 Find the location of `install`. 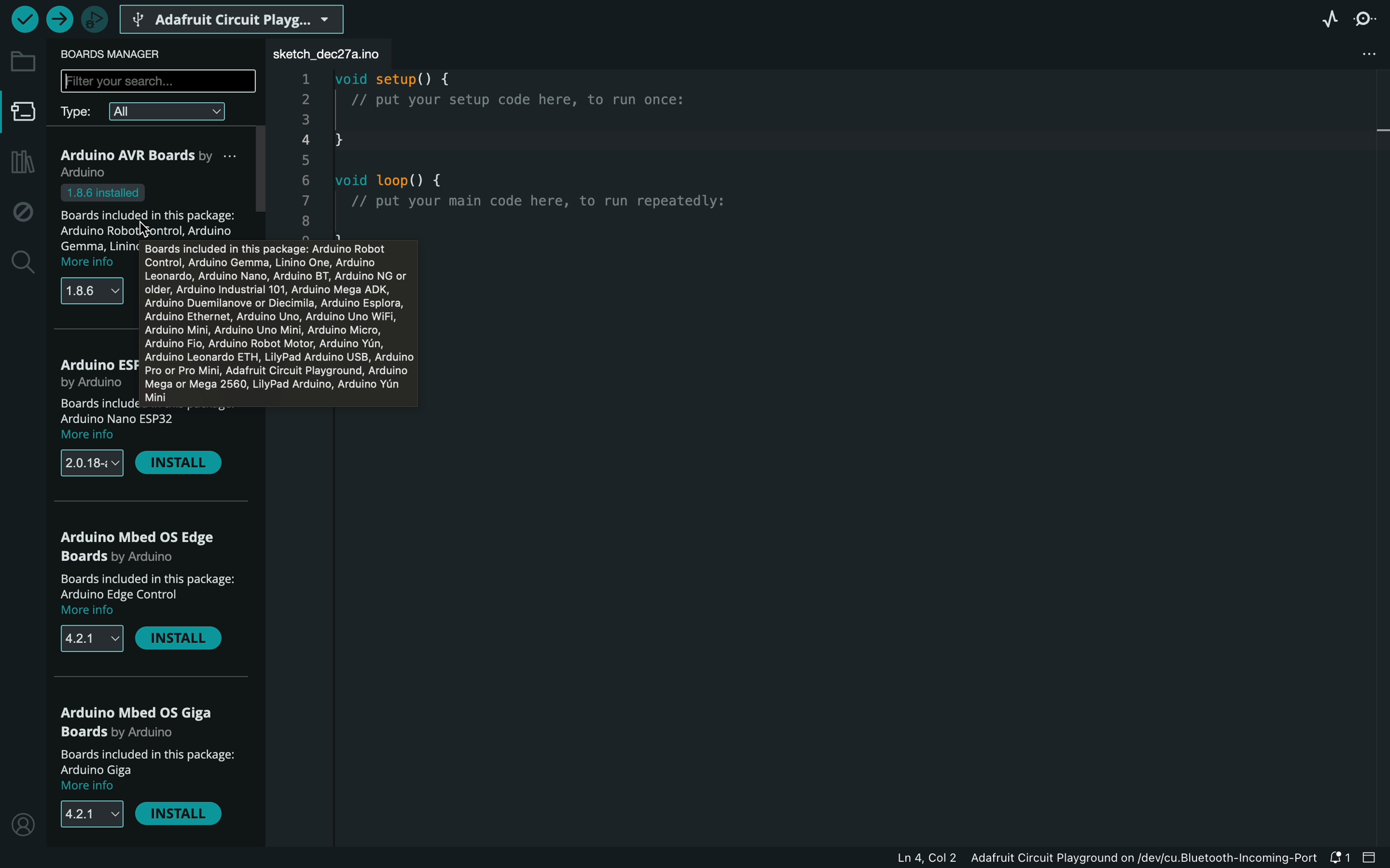

install is located at coordinates (180, 462).